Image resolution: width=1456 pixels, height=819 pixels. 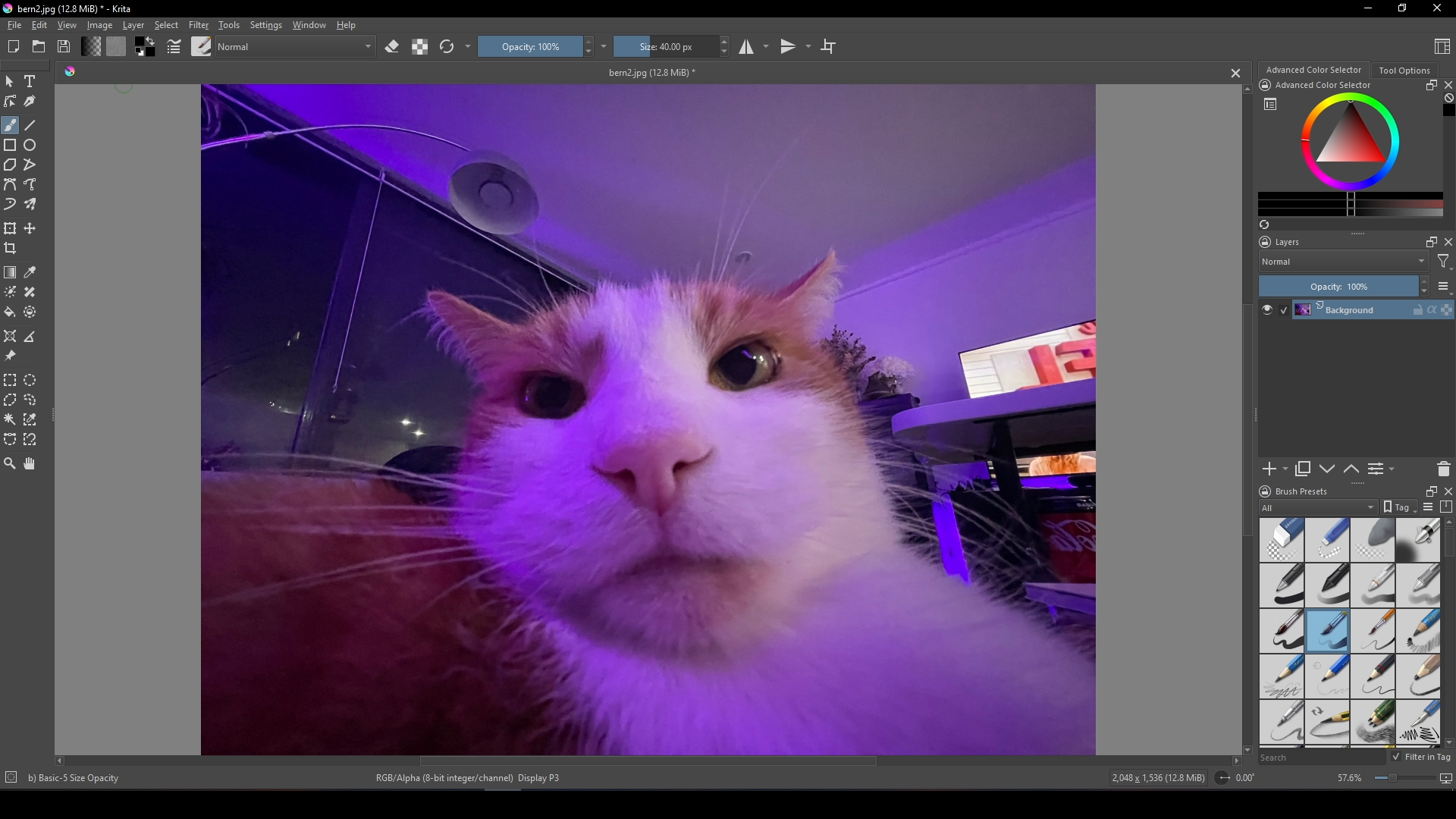 What do you see at coordinates (14, 26) in the screenshot?
I see `File` at bounding box center [14, 26].